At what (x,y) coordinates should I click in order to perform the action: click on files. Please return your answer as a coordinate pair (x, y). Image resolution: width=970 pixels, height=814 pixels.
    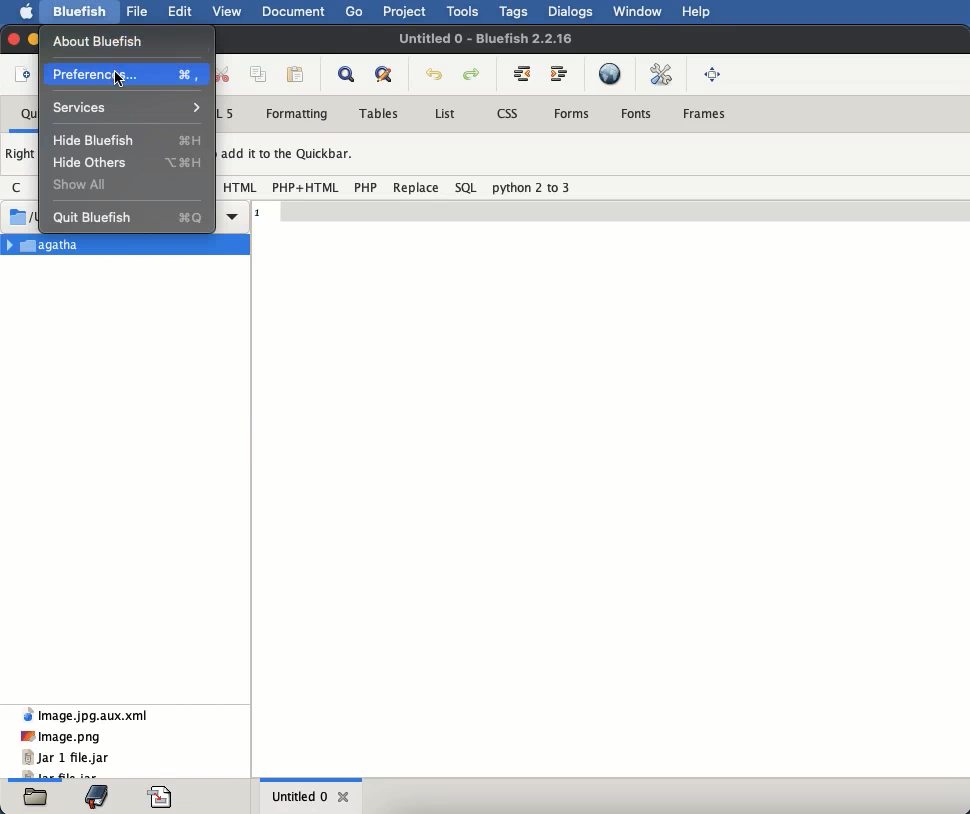
    Looking at the image, I should click on (36, 797).